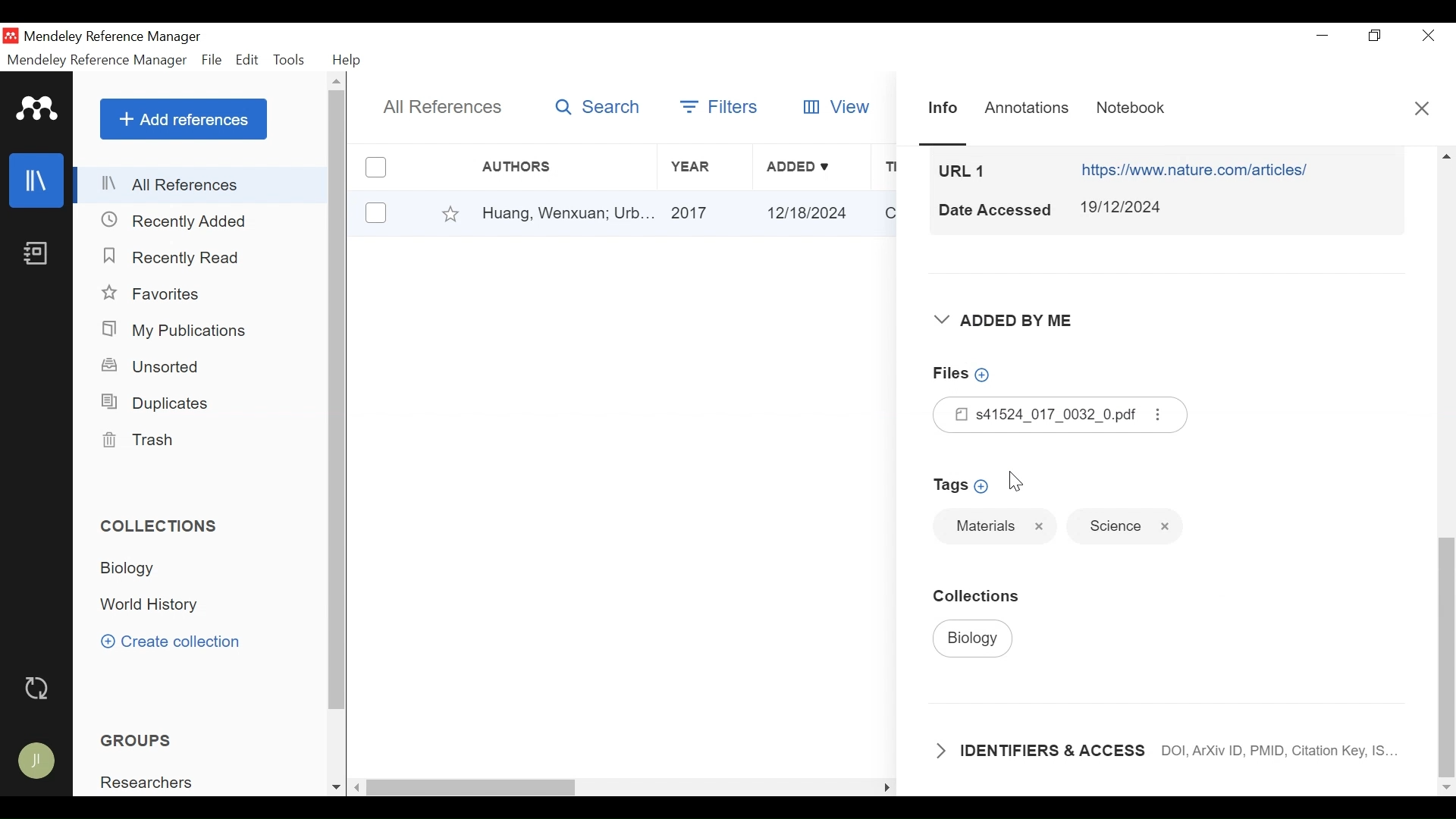 Image resolution: width=1456 pixels, height=819 pixels. Describe the element at coordinates (1115, 527) in the screenshot. I see `Science` at that location.